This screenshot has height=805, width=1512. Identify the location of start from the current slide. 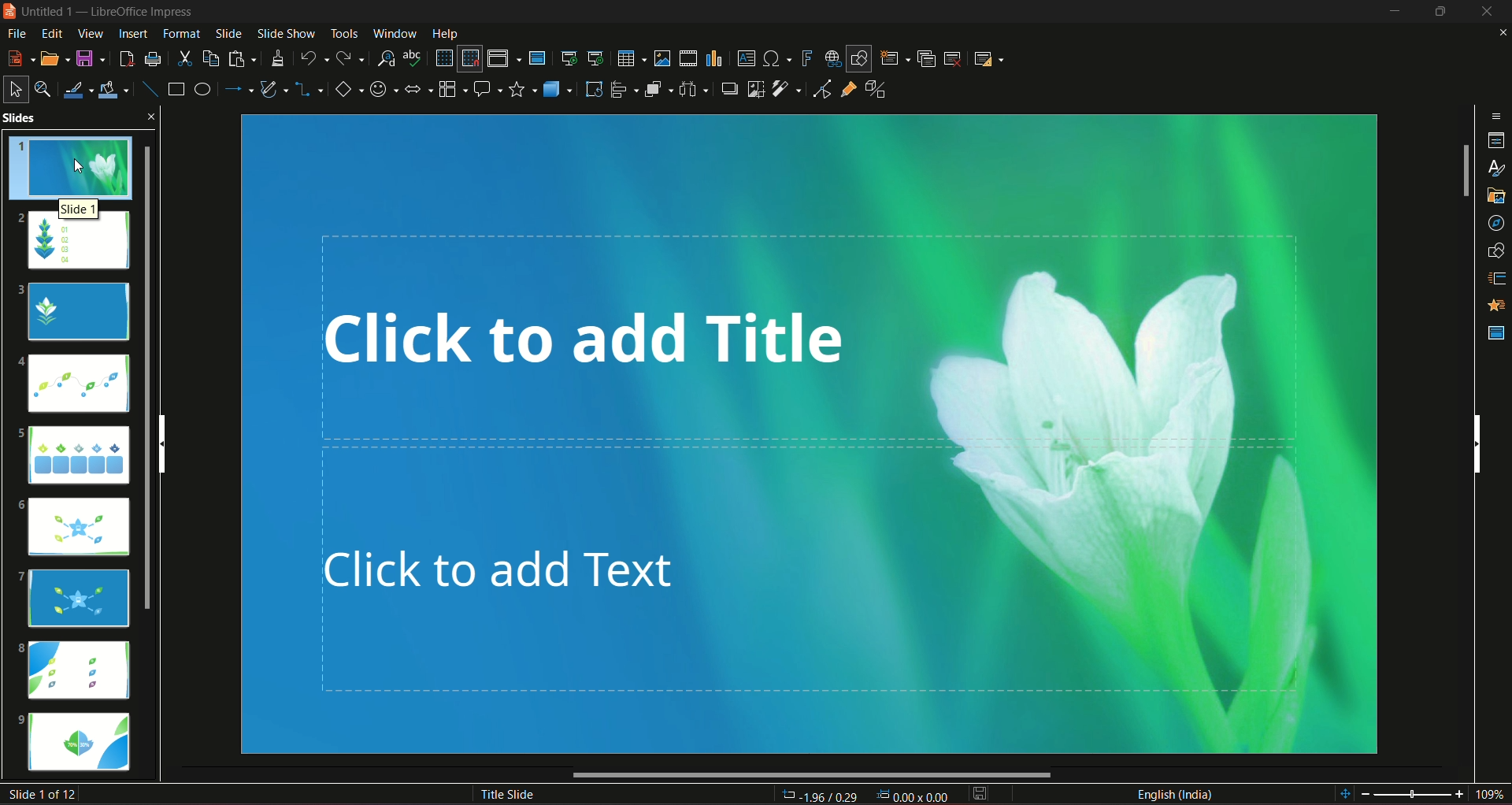
(596, 57).